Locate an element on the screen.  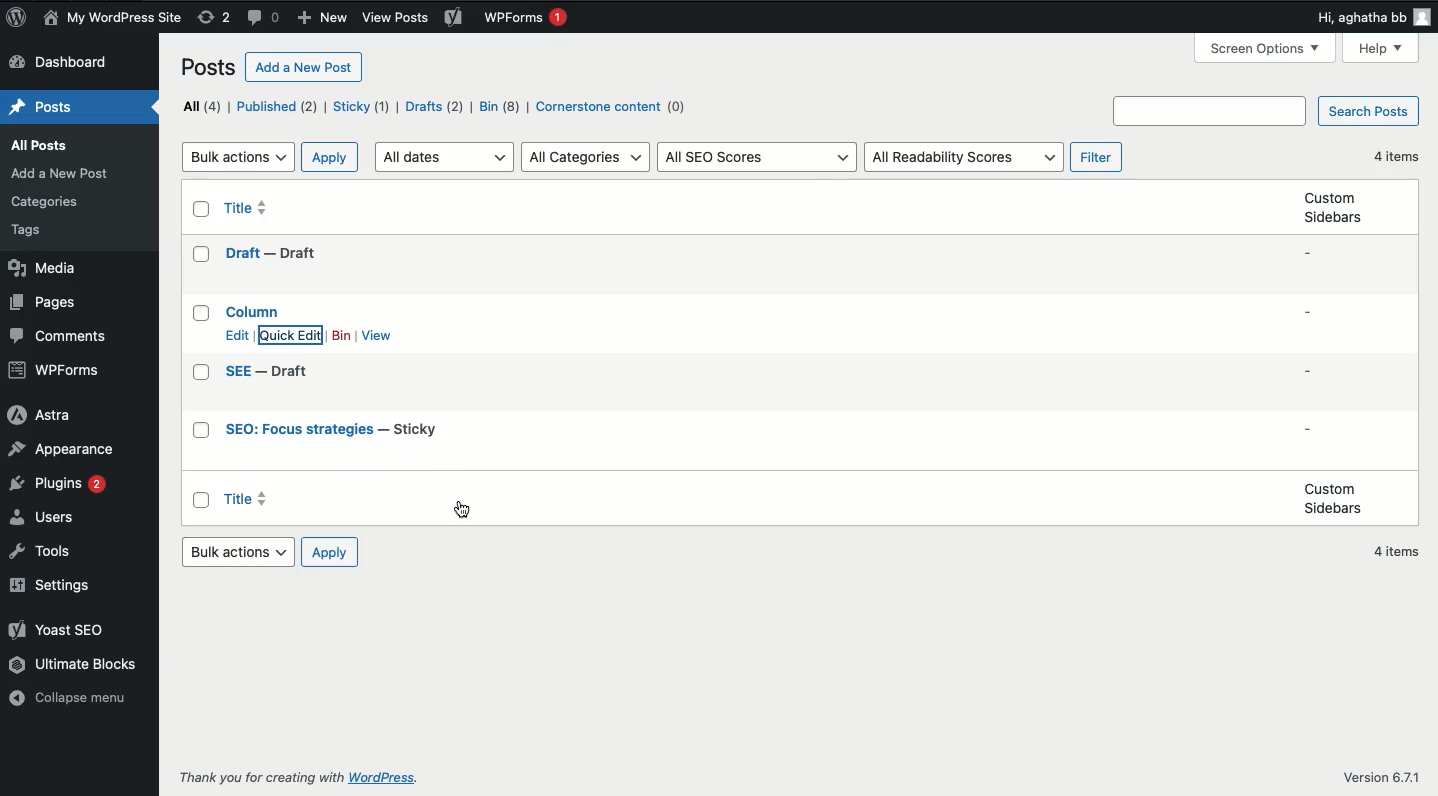
All readability scores is located at coordinates (963, 156).